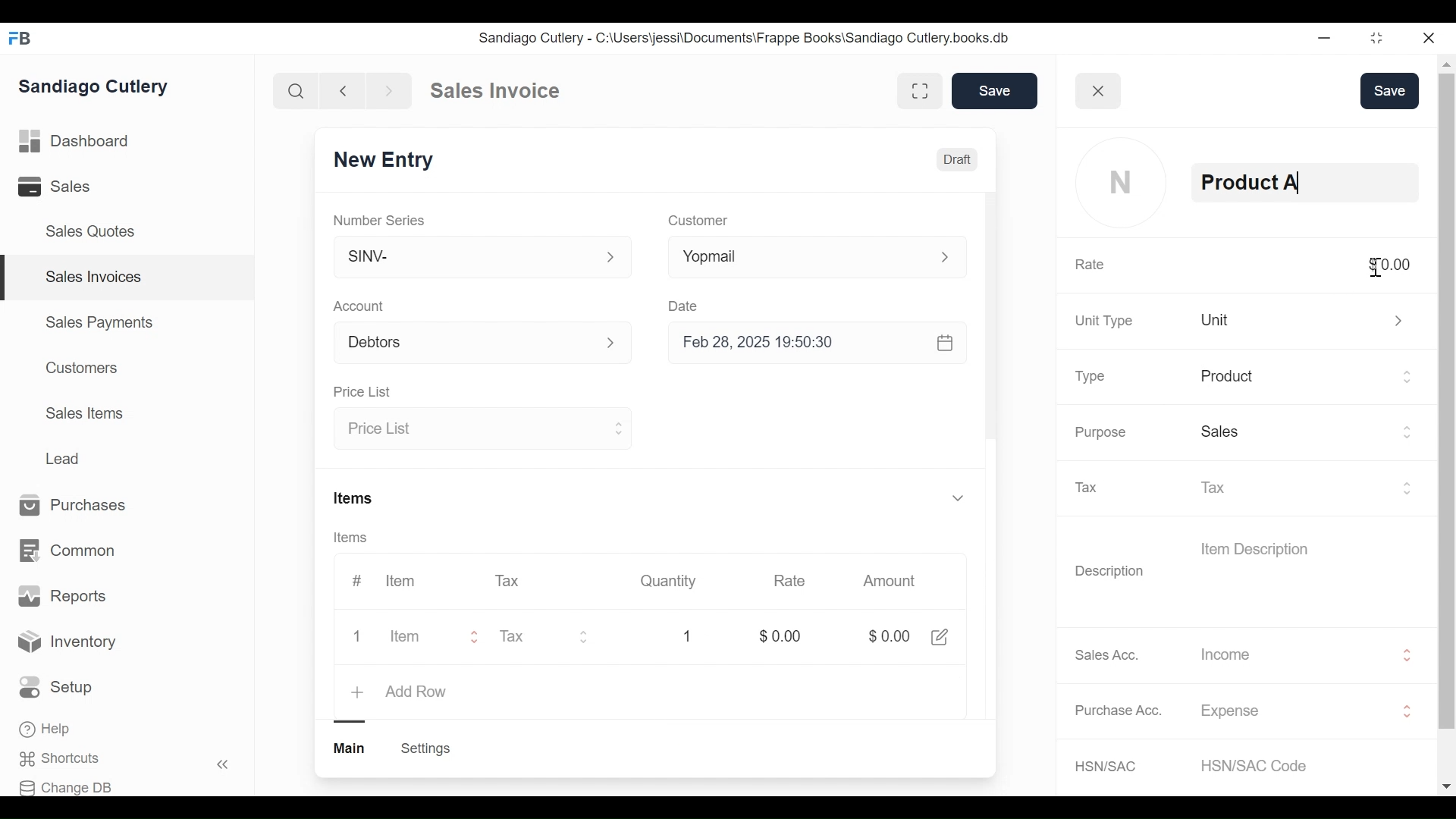 This screenshot has width=1456, height=819. I want to click on Sales Quotes, so click(96, 232).